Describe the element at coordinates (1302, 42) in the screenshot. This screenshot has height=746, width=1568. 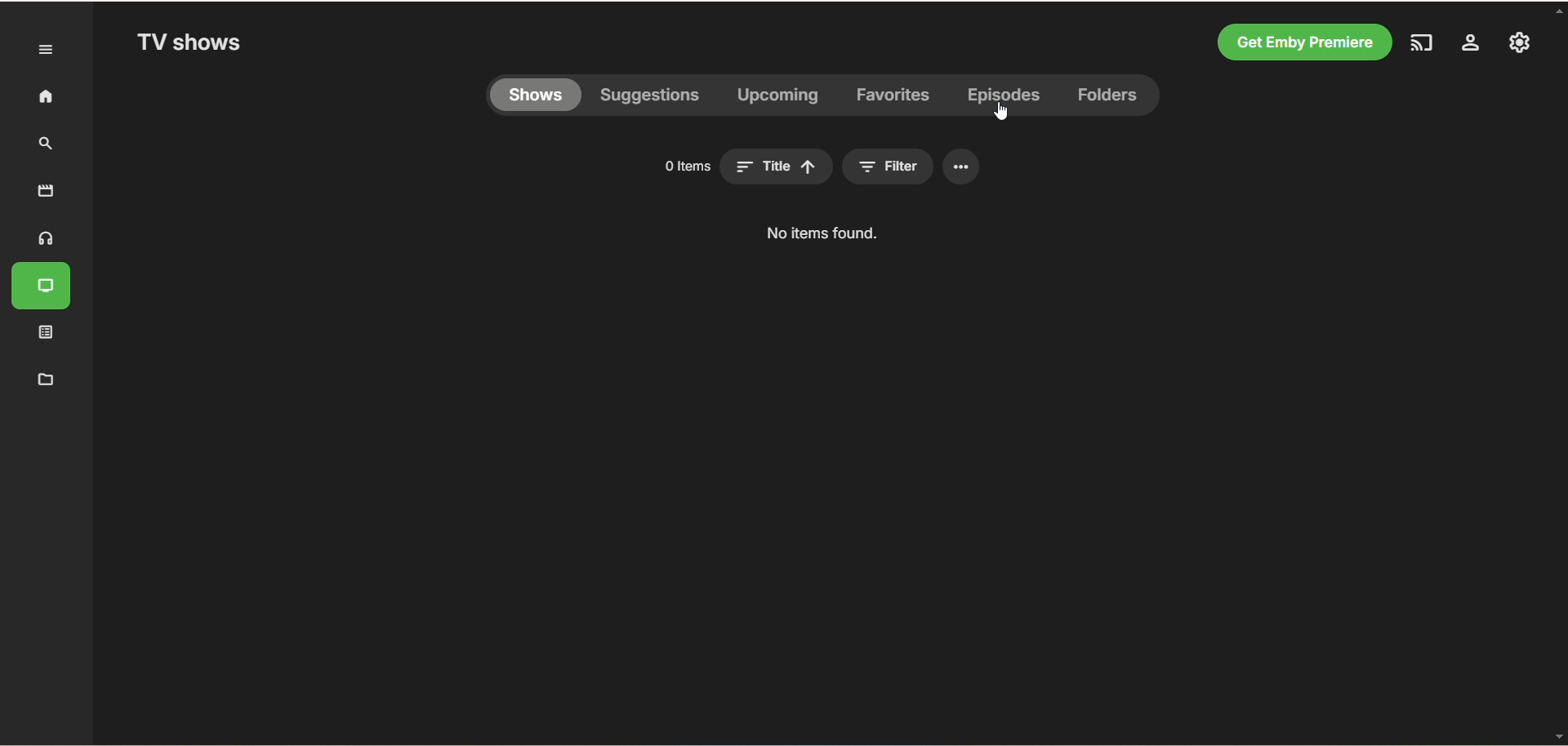
I see `get emby premiere` at that location.